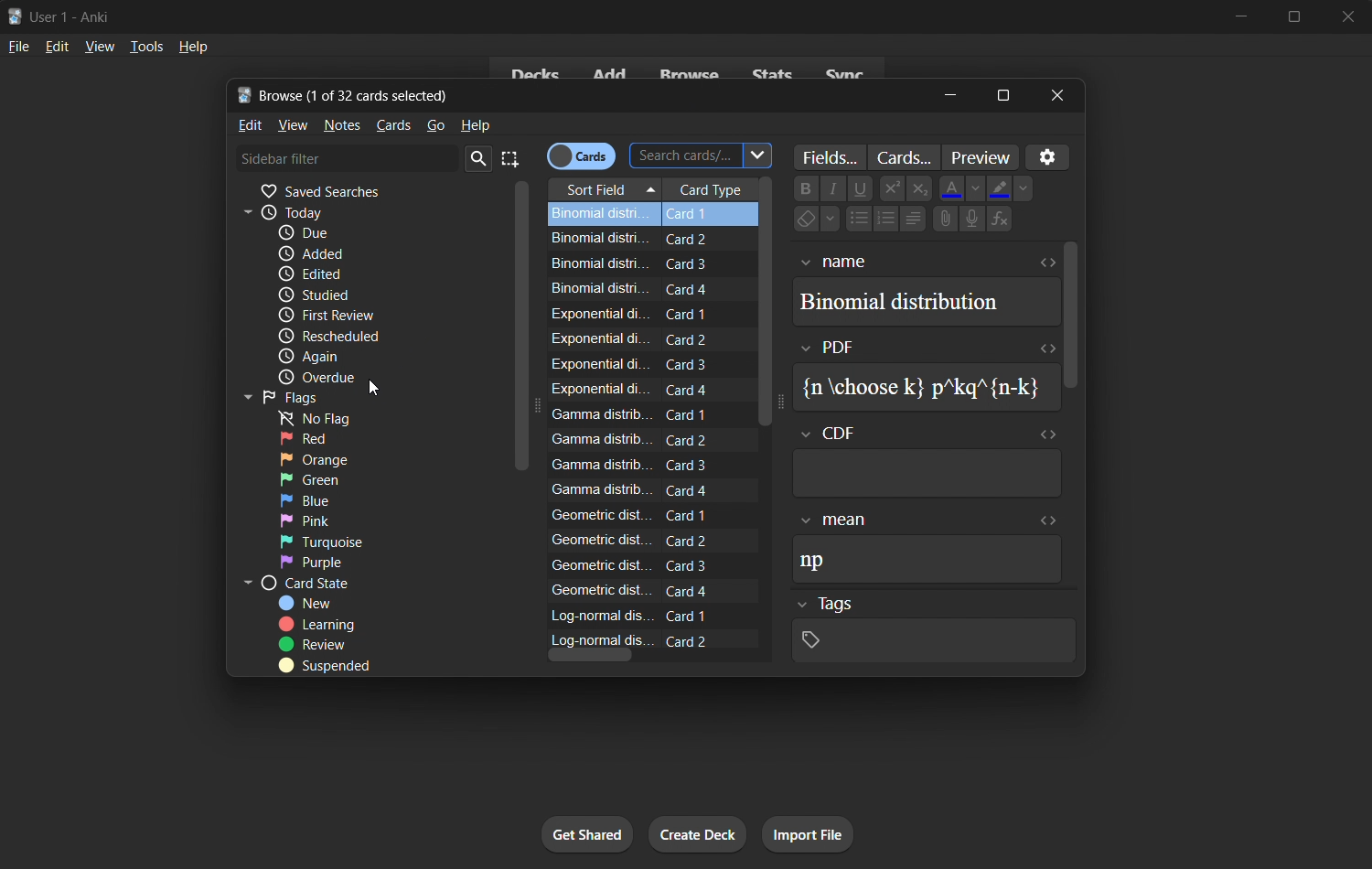 The image size is (1372, 869). What do you see at coordinates (339, 562) in the screenshot?
I see `purple` at bounding box center [339, 562].